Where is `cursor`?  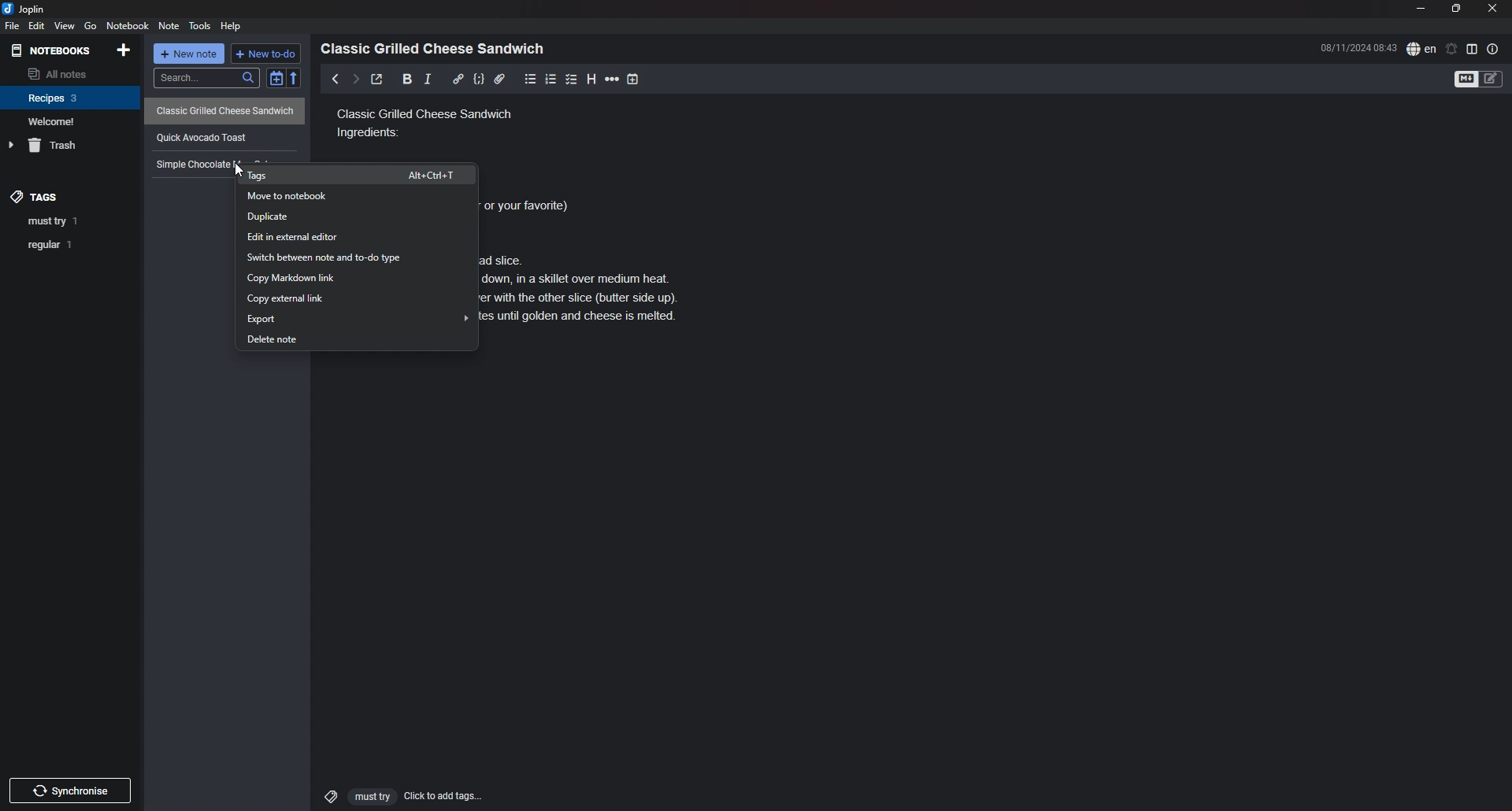
cursor is located at coordinates (239, 171).